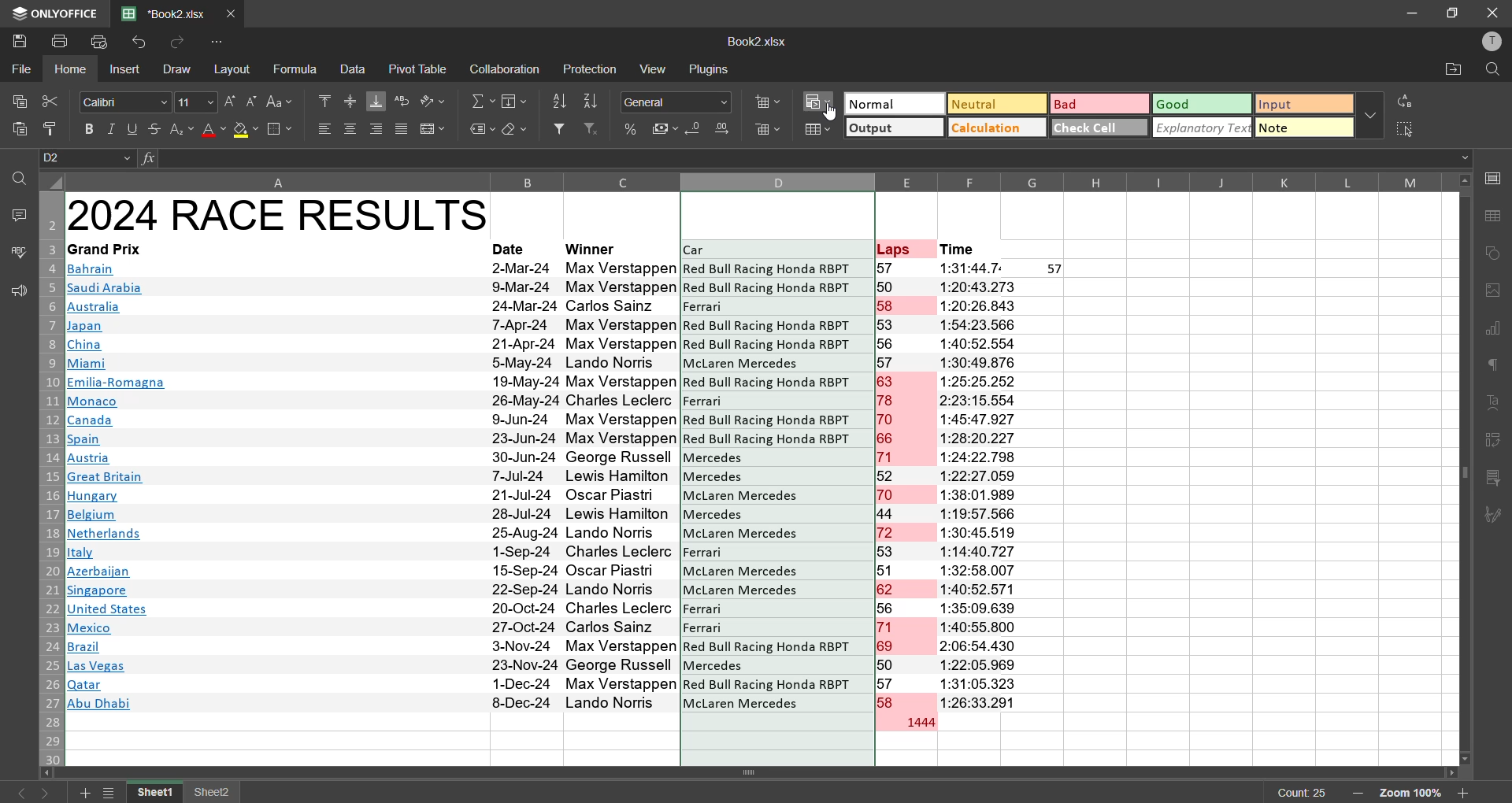  Describe the element at coordinates (769, 132) in the screenshot. I see `remove cells` at that location.